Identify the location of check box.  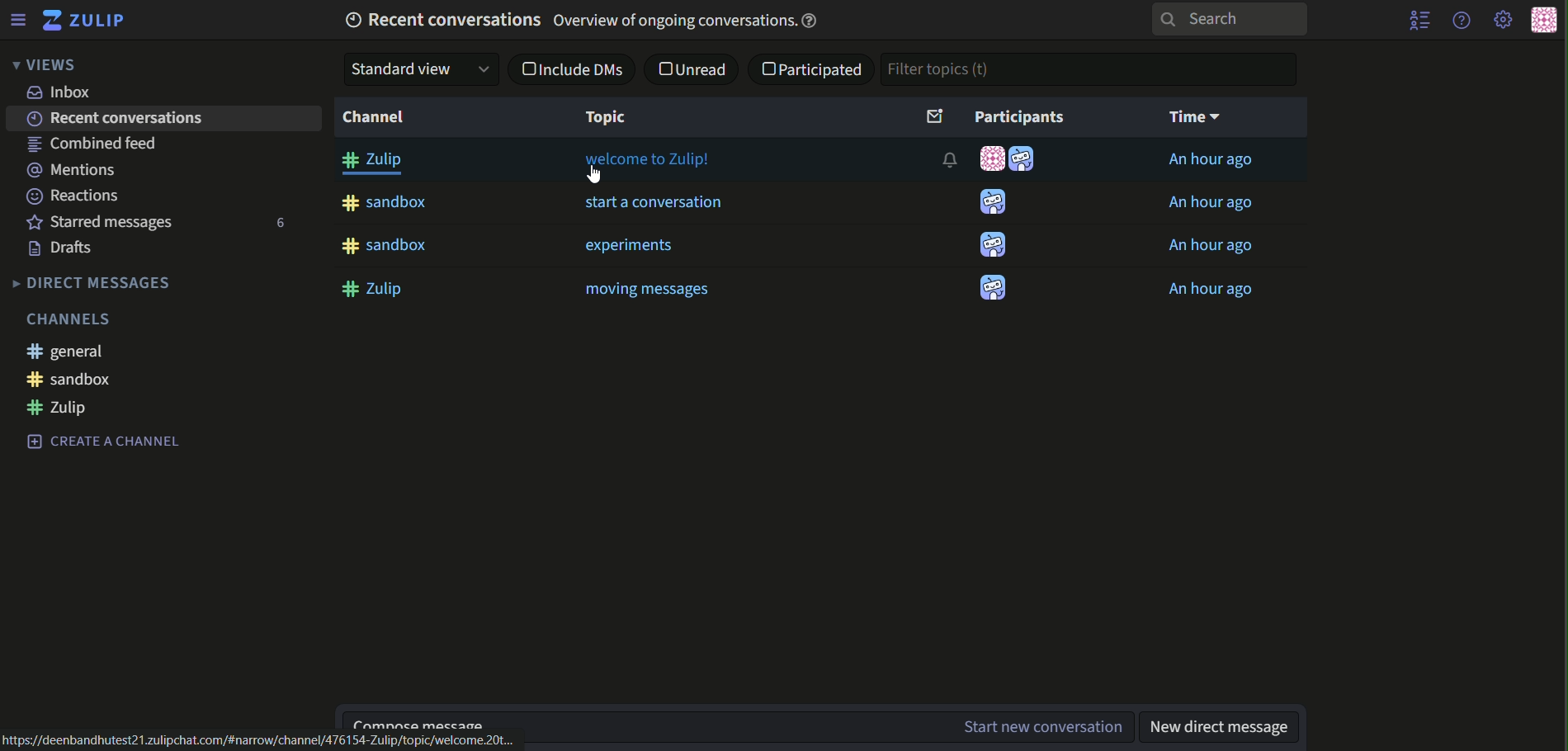
(665, 68).